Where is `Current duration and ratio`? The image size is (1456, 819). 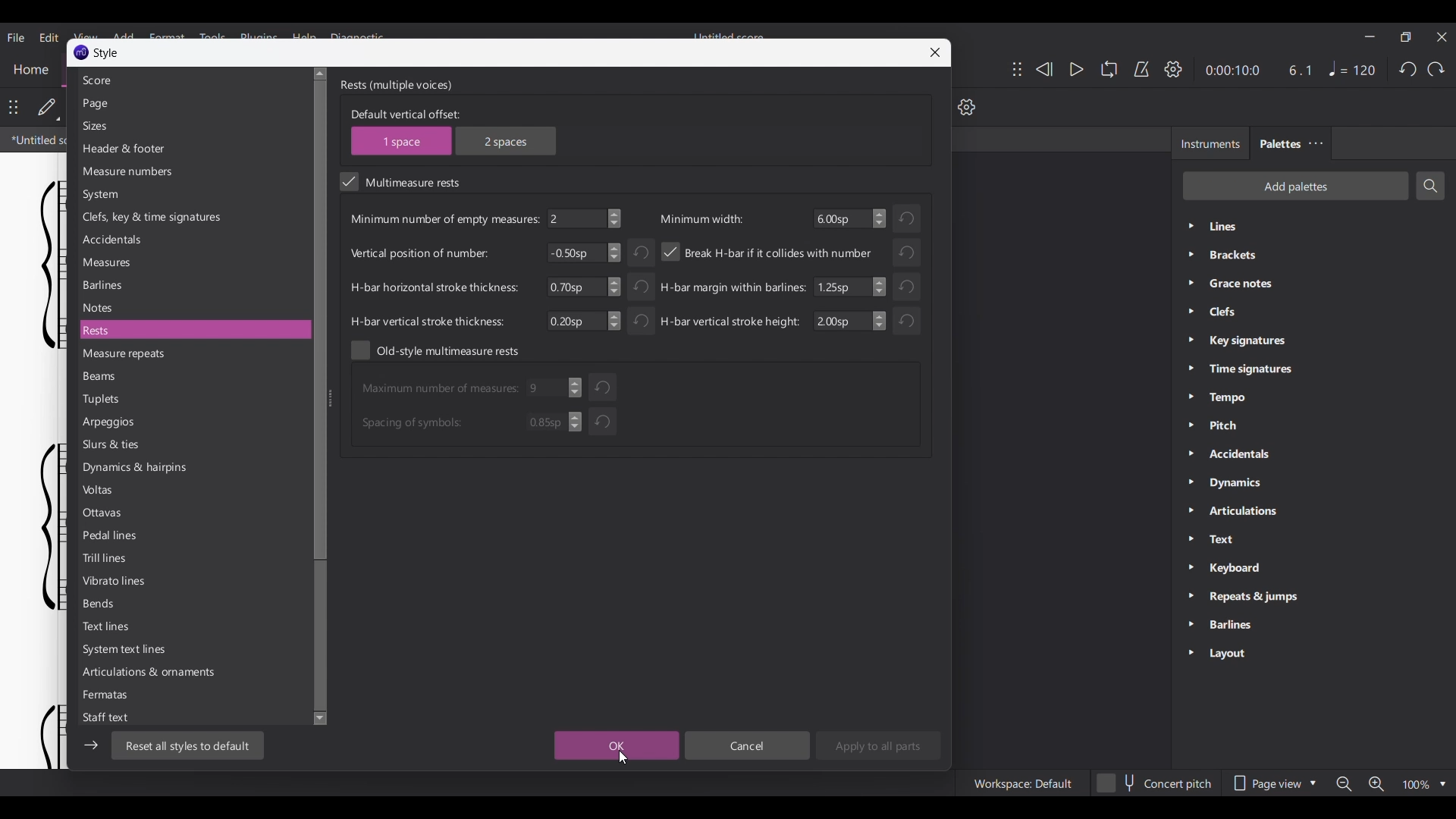
Current duration and ratio is located at coordinates (1257, 70).